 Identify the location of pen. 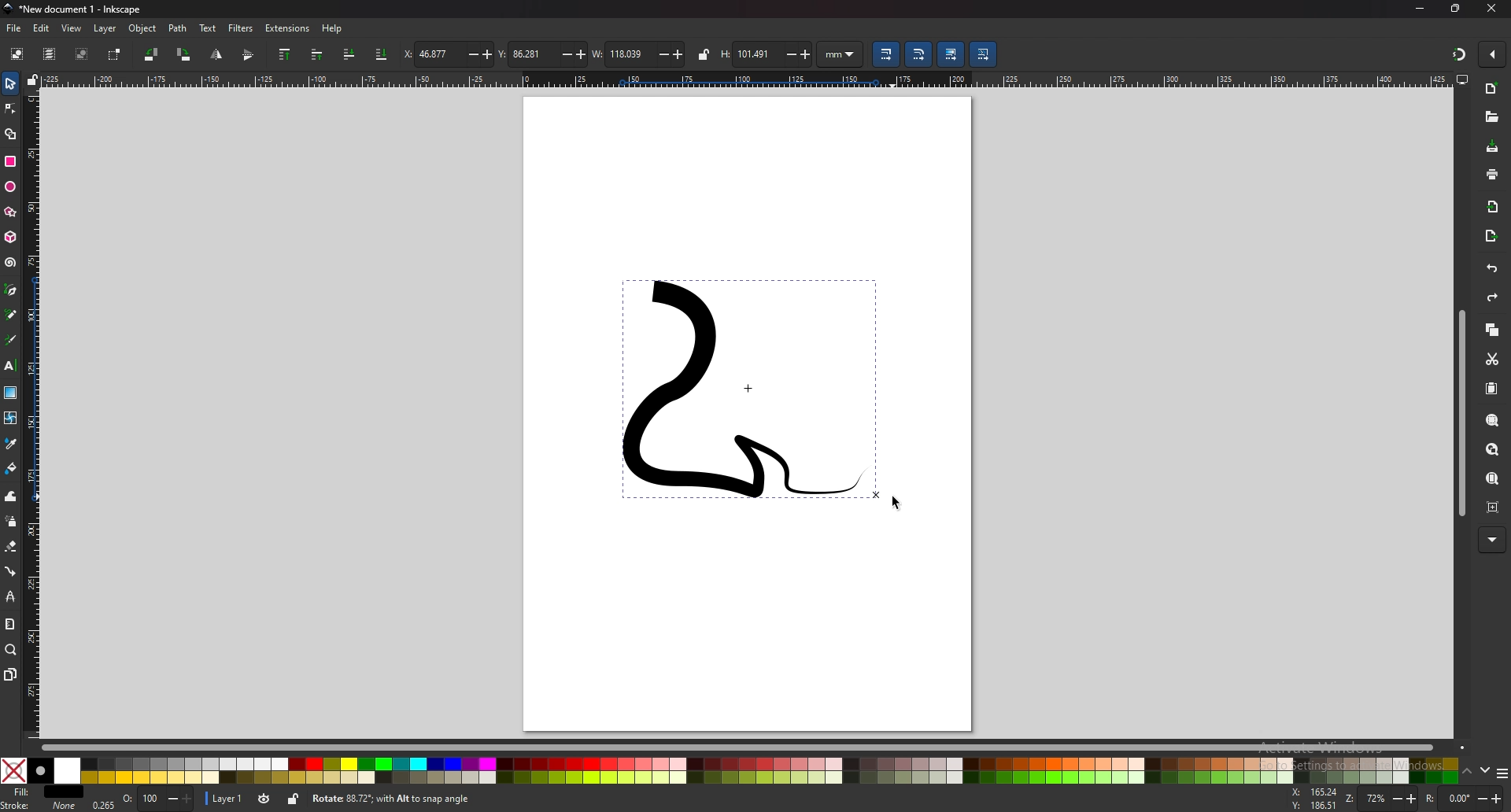
(10, 290).